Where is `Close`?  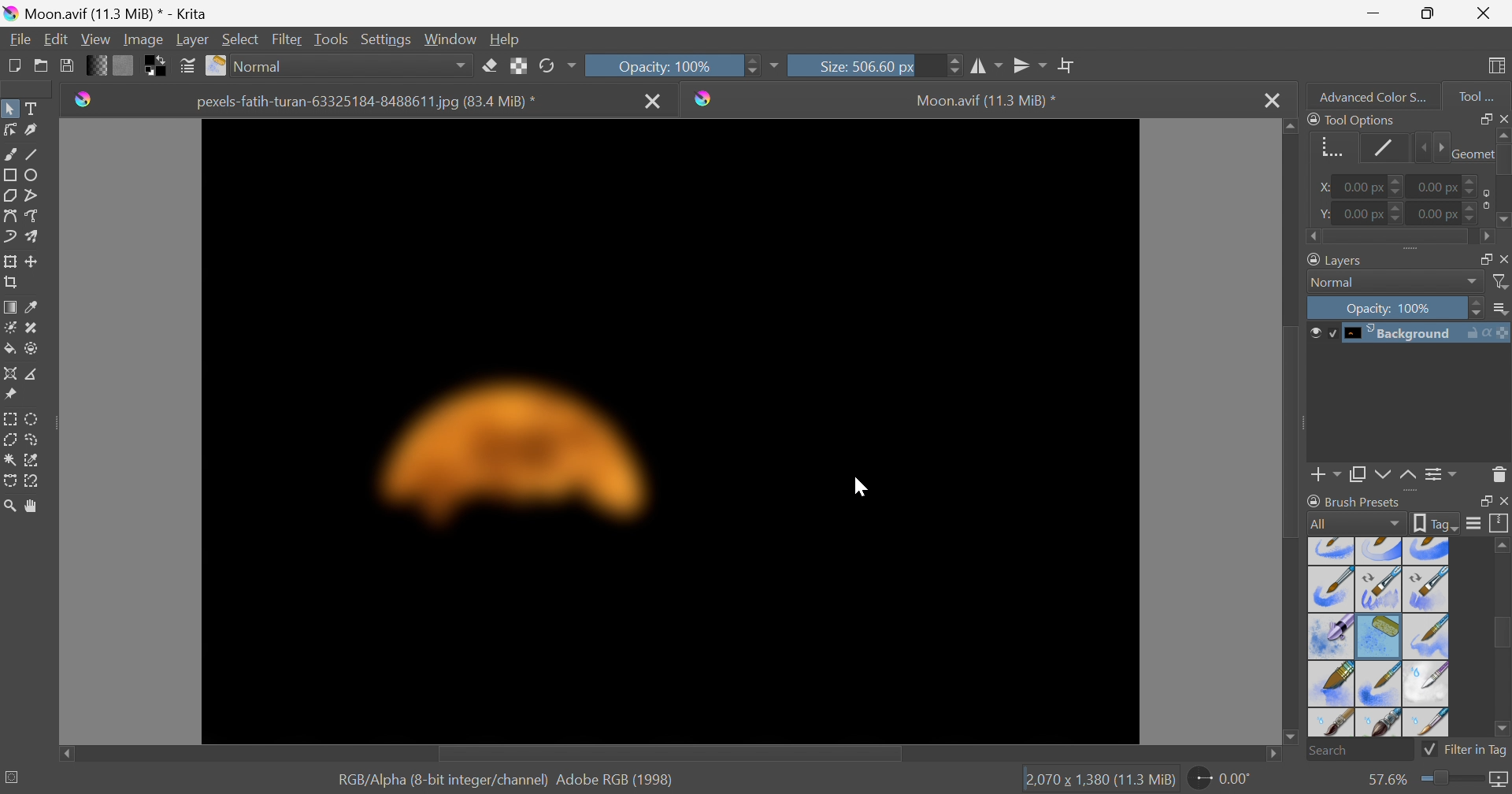
Close is located at coordinates (1271, 98).